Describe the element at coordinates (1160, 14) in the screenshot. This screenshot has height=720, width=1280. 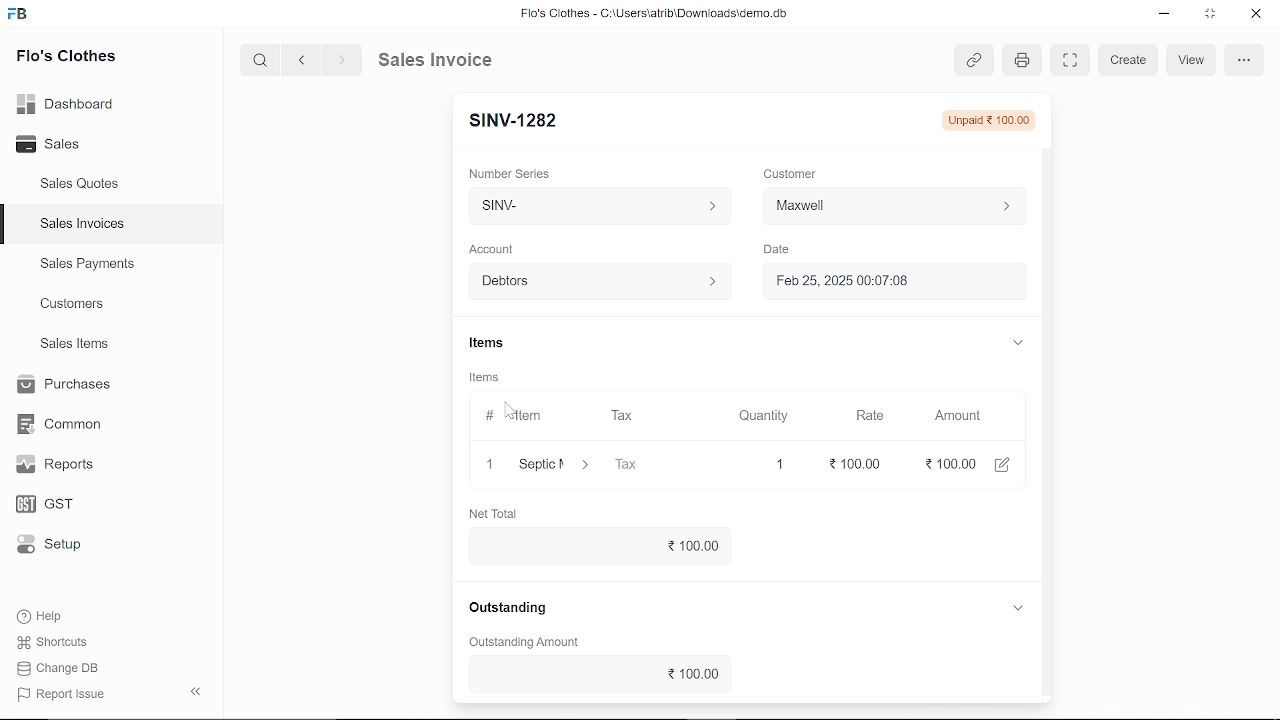
I see `minimize` at that location.